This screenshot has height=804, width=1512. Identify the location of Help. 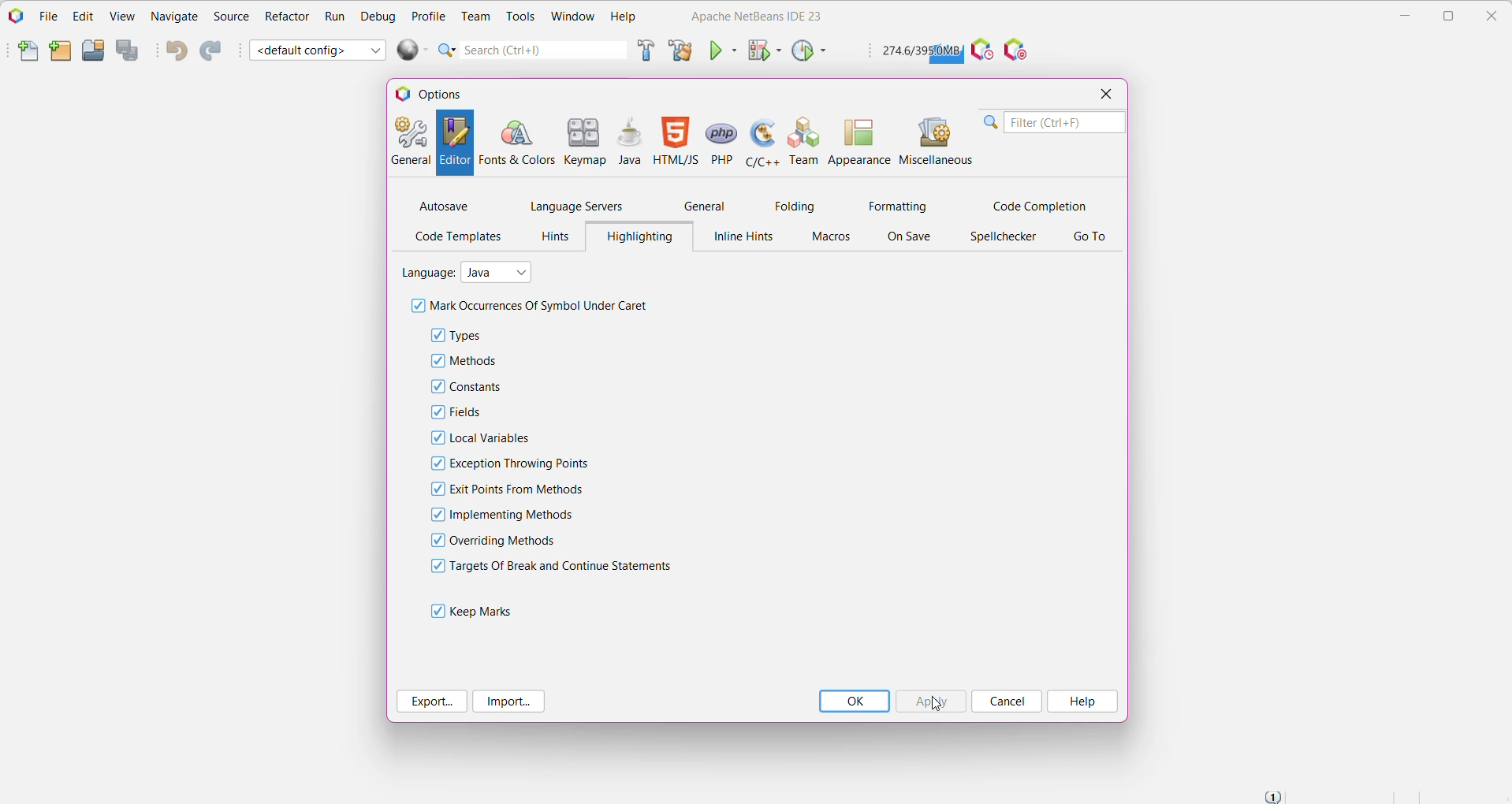
(624, 17).